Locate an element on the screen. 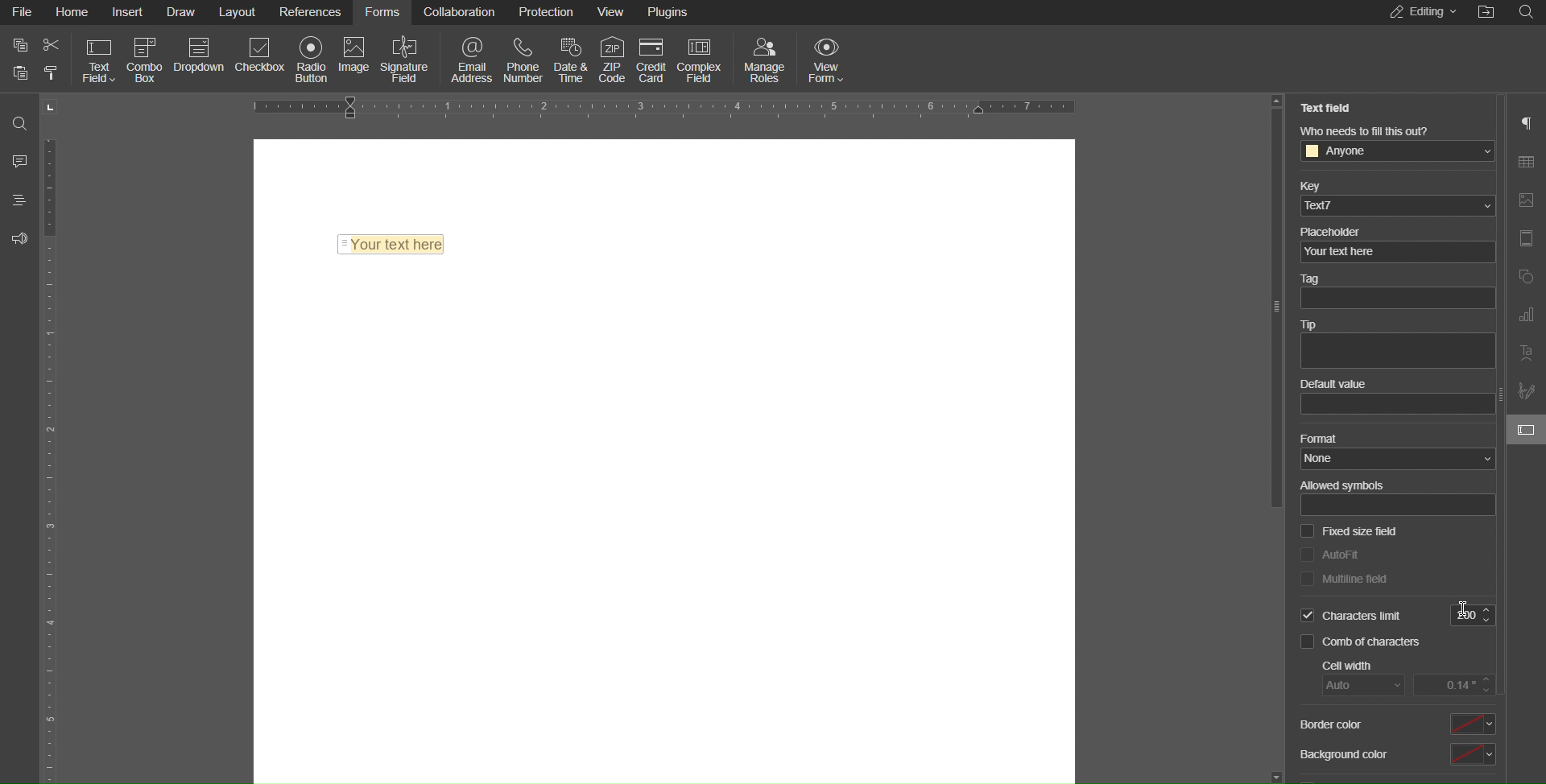  Layout is located at coordinates (242, 13).